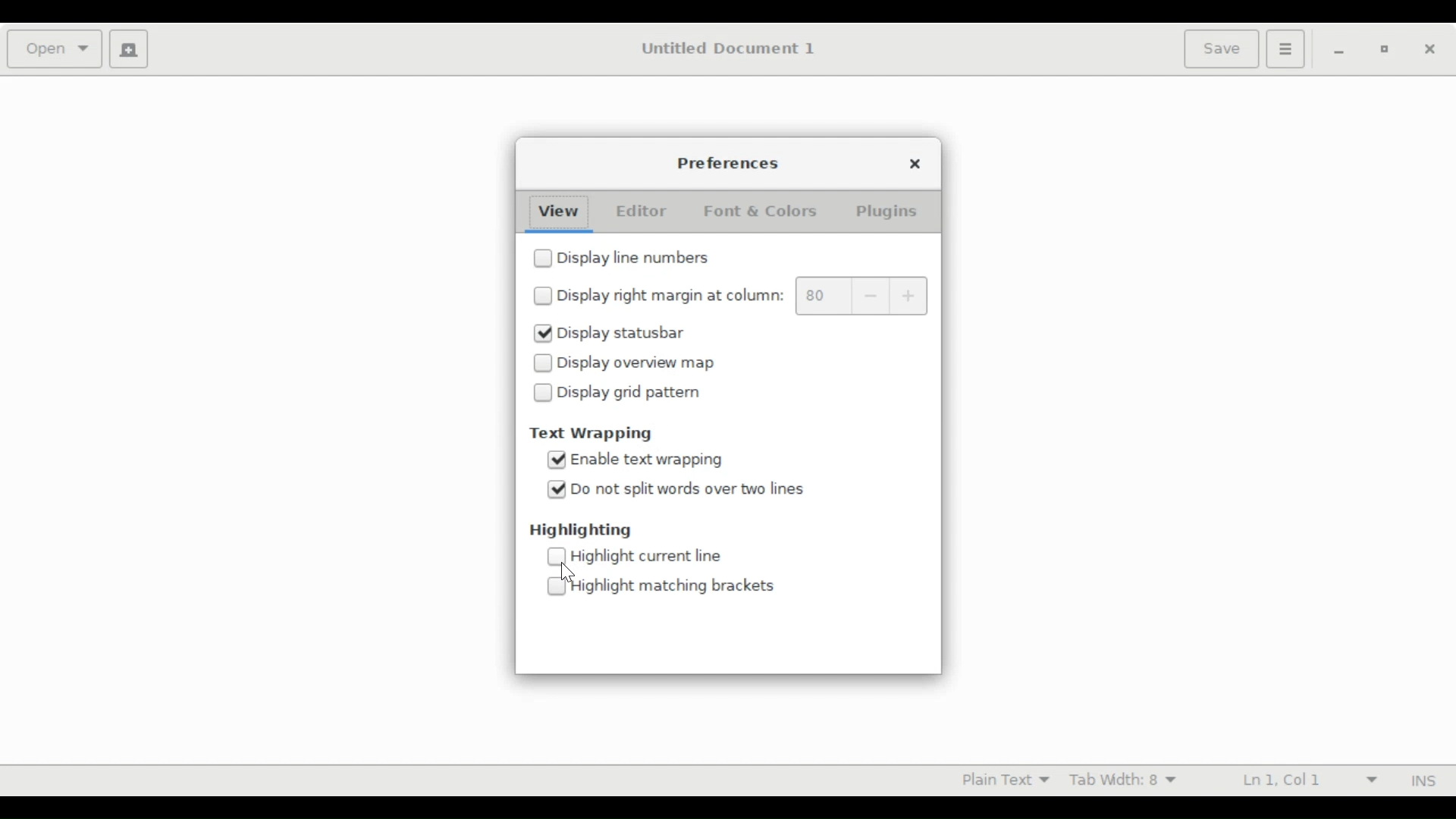 The width and height of the screenshot is (1456, 819). What do you see at coordinates (1432, 52) in the screenshot?
I see `Close` at bounding box center [1432, 52].